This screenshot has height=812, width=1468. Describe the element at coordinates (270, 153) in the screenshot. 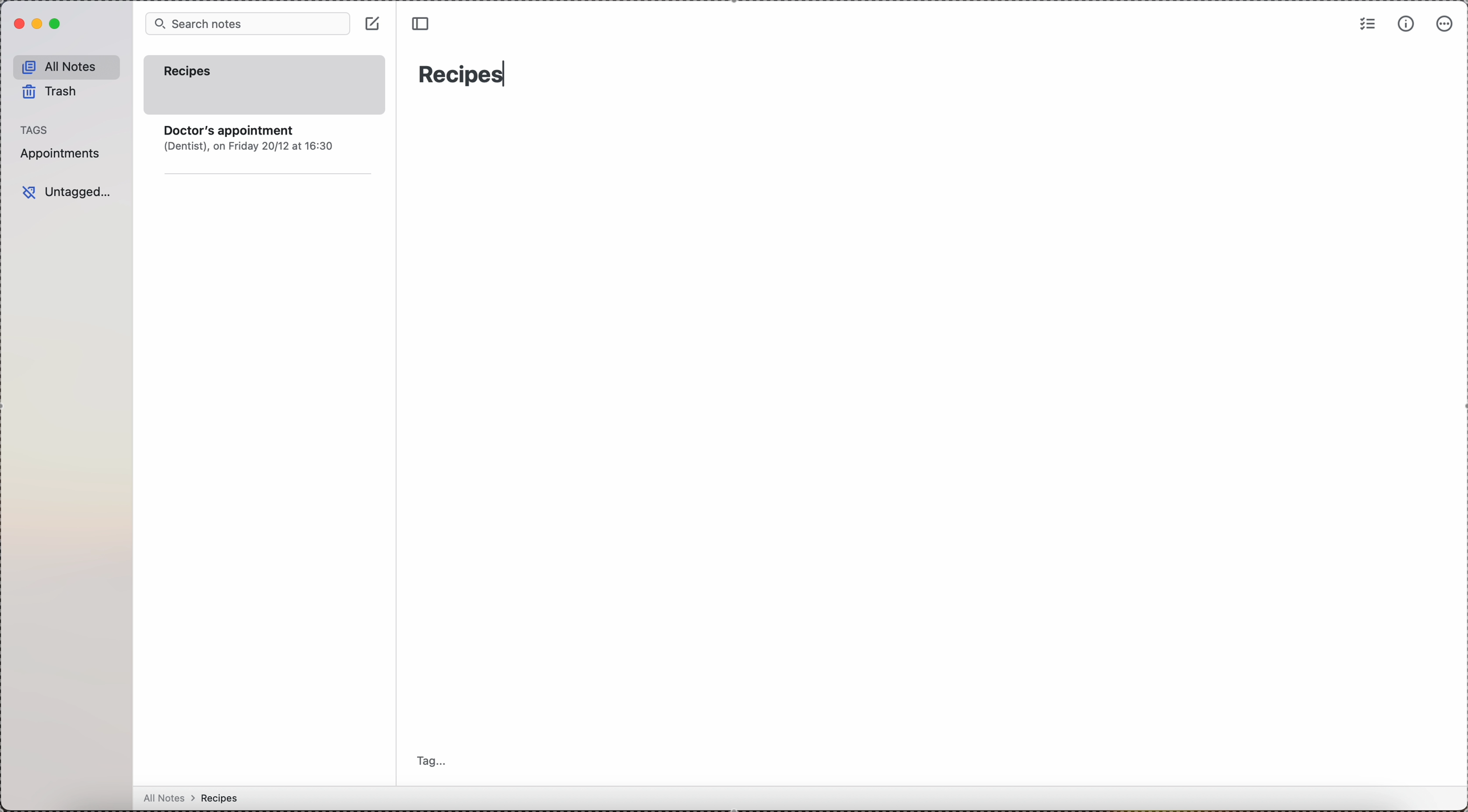

I see `note` at that location.